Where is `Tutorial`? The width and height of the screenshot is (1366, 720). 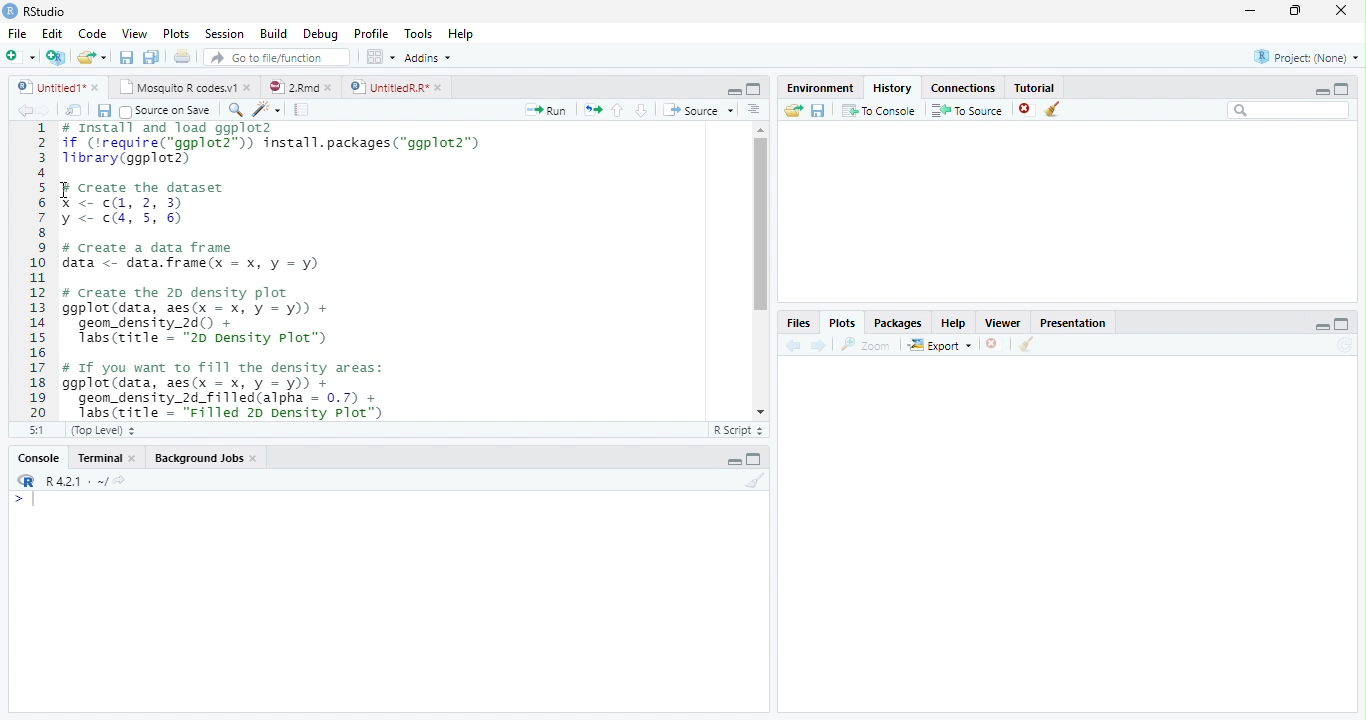
Tutorial is located at coordinates (1036, 87).